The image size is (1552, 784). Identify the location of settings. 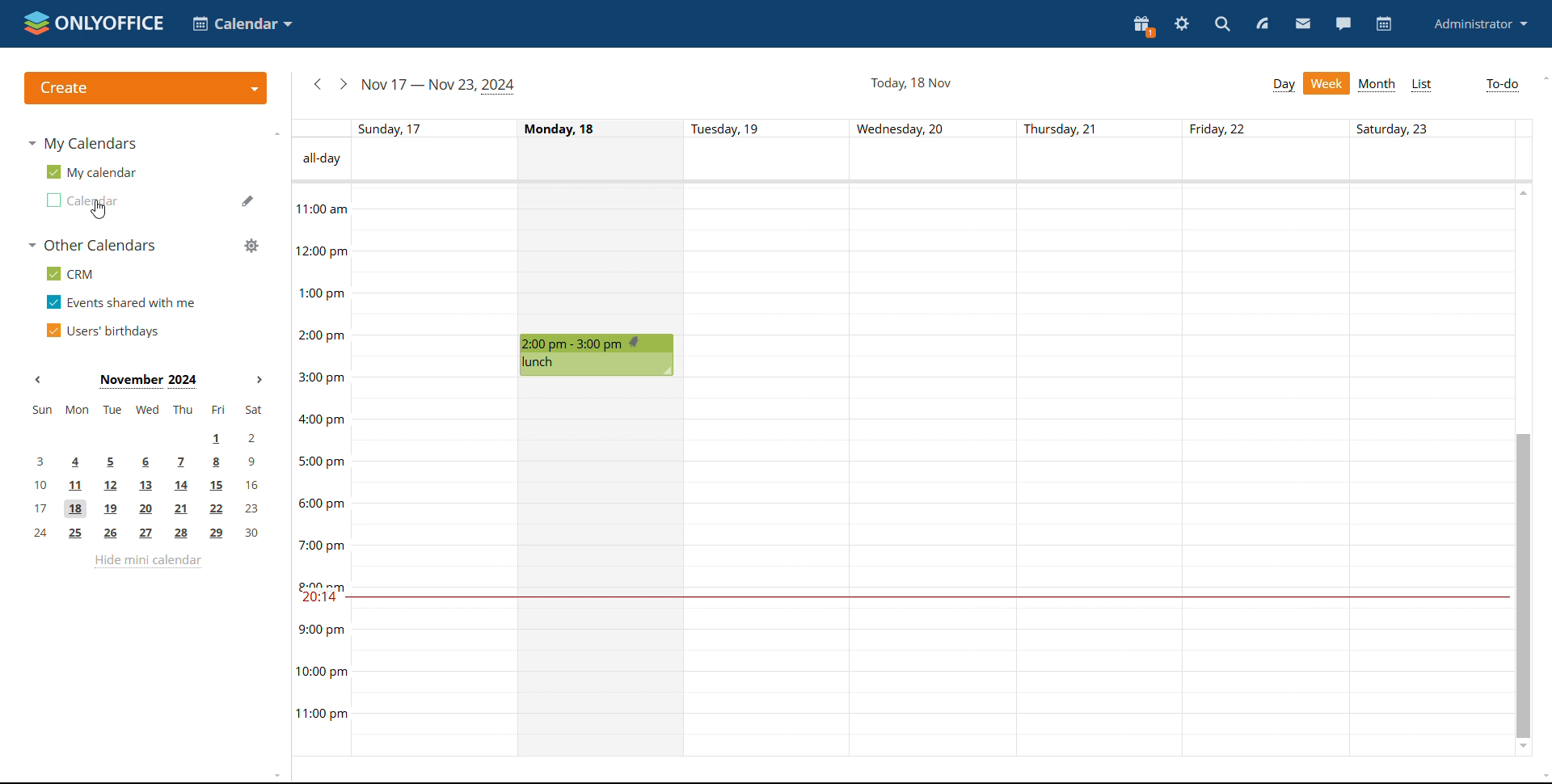
(1183, 23).